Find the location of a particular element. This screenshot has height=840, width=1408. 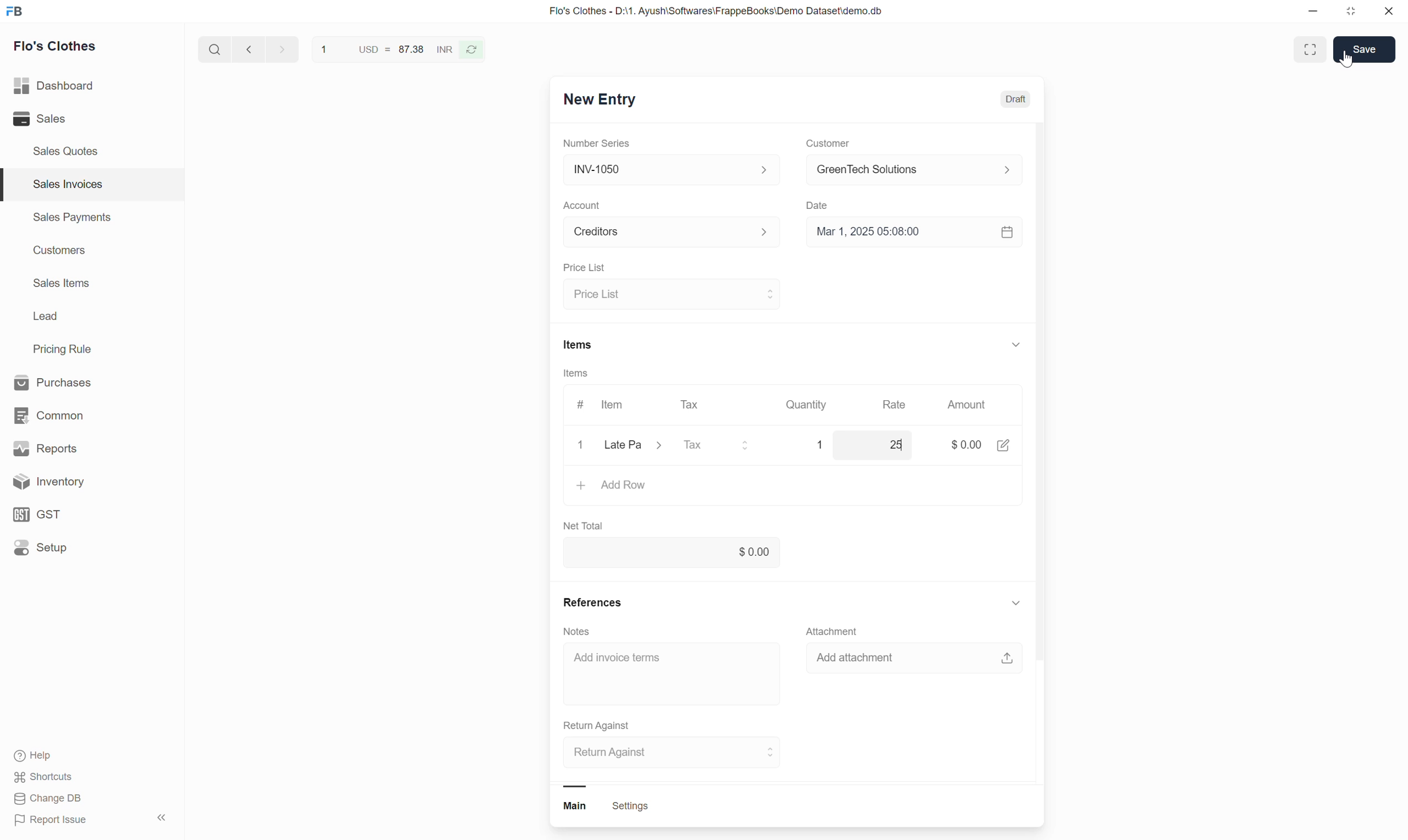

References is located at coordinates (592, 602).